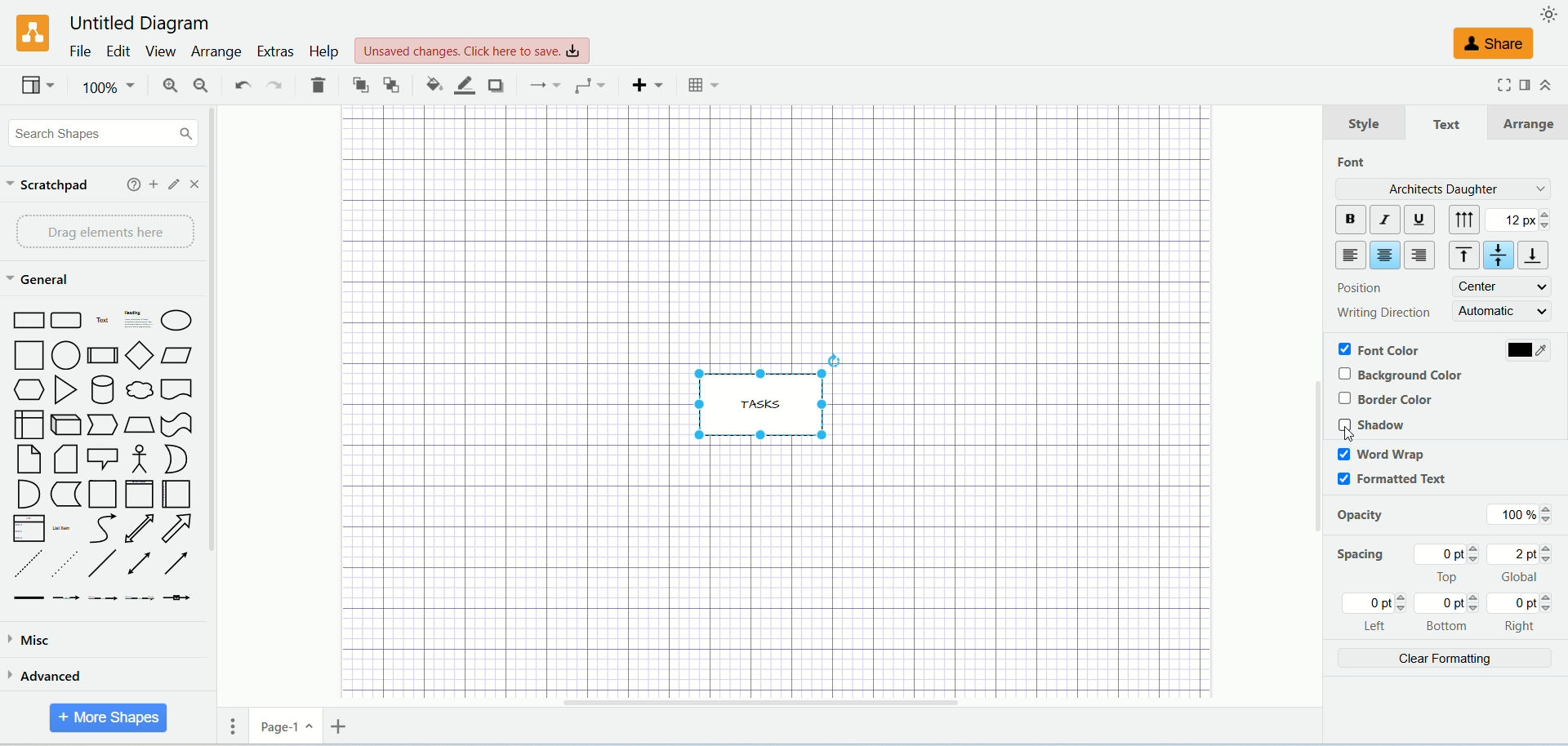  What do you see at coordinates (1384, 400) in the screenshot?
I see `border color` at bounding box center [1384, 400].